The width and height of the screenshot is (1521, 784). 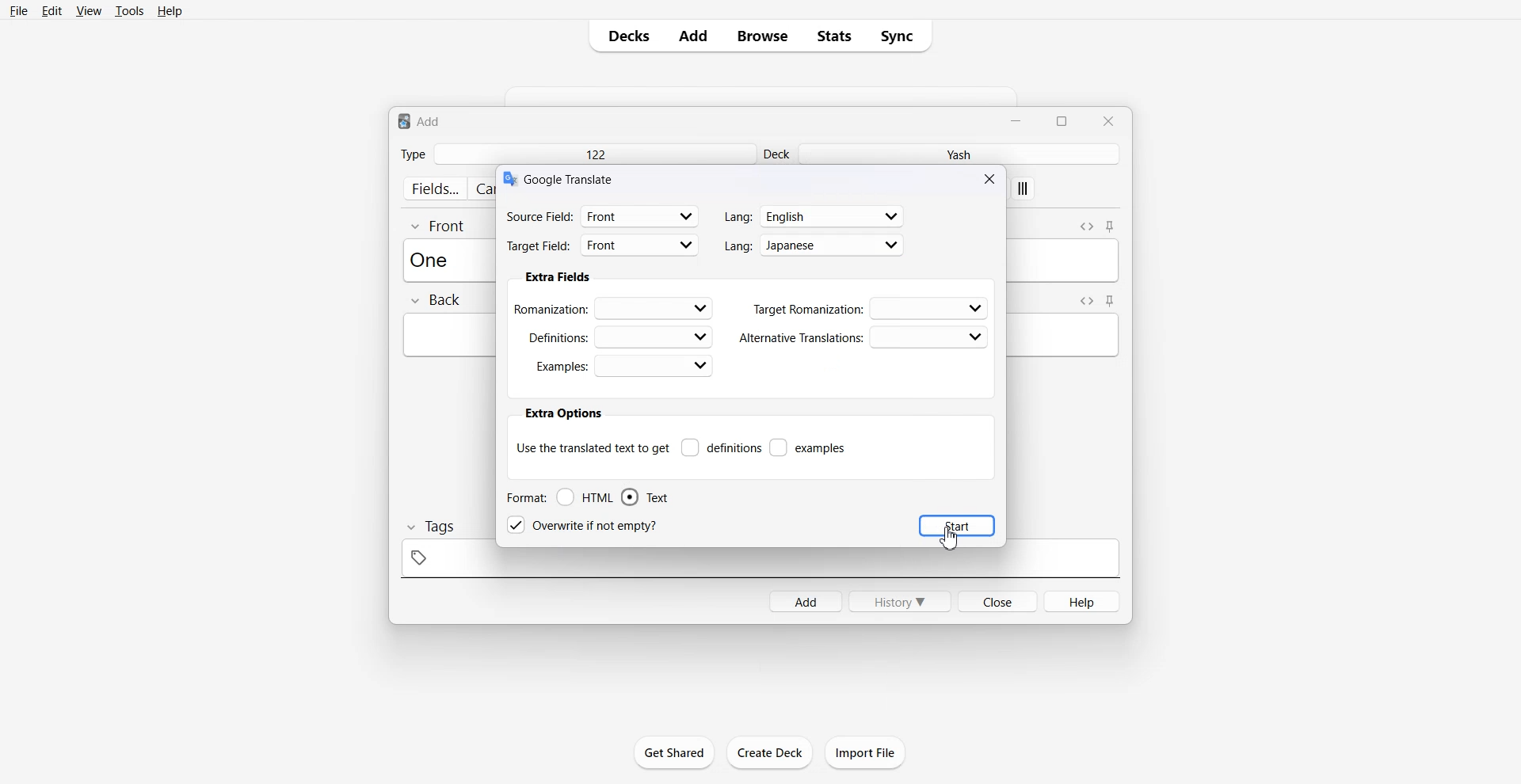 What do you see at coordinates (558, 277) in the screenshot?
I see `Extra fields` at bounding box center [558, 277].